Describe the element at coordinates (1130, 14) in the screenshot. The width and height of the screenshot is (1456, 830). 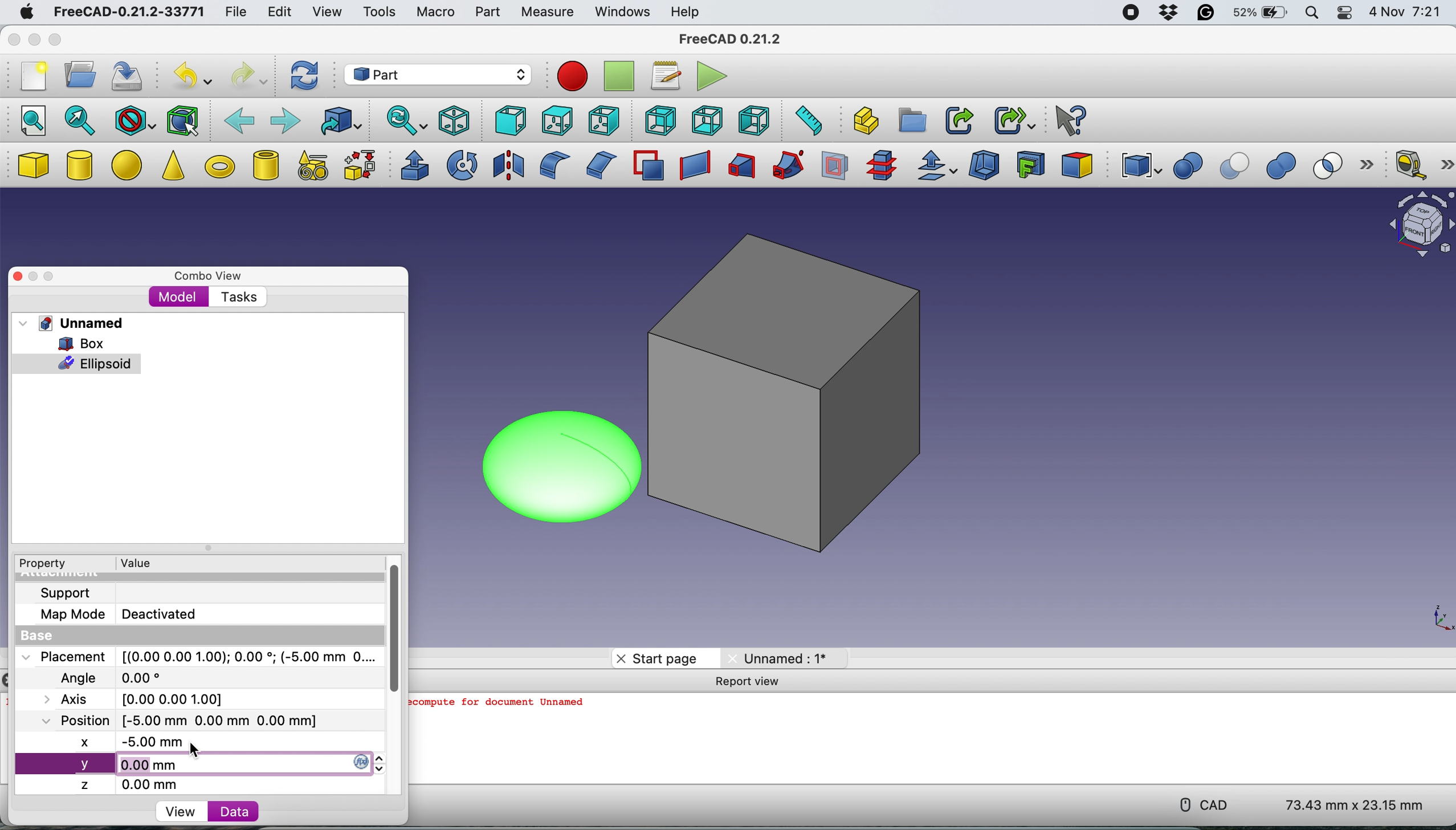
I see `screen recorder` at that location.